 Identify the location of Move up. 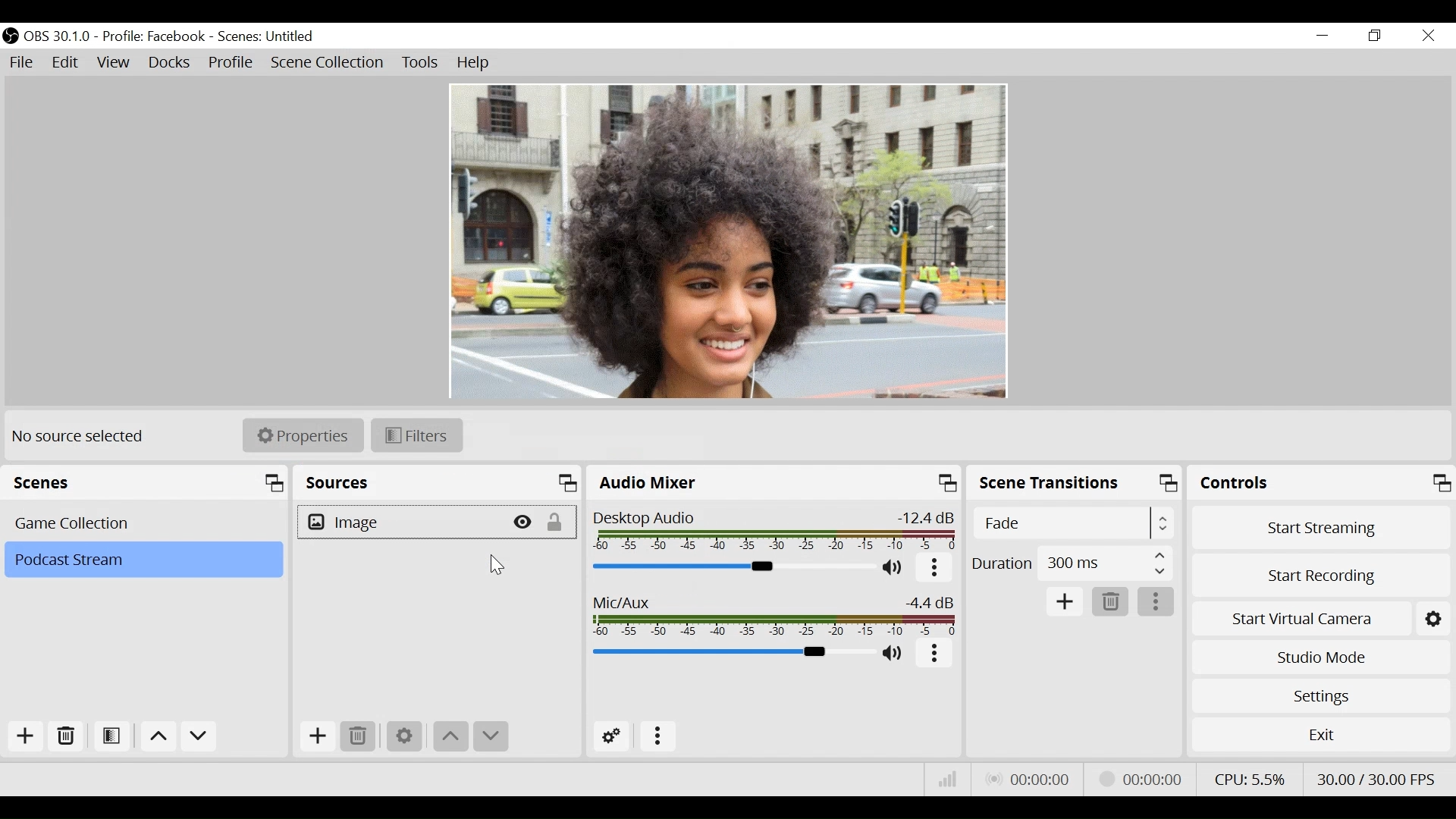
(158, 736).